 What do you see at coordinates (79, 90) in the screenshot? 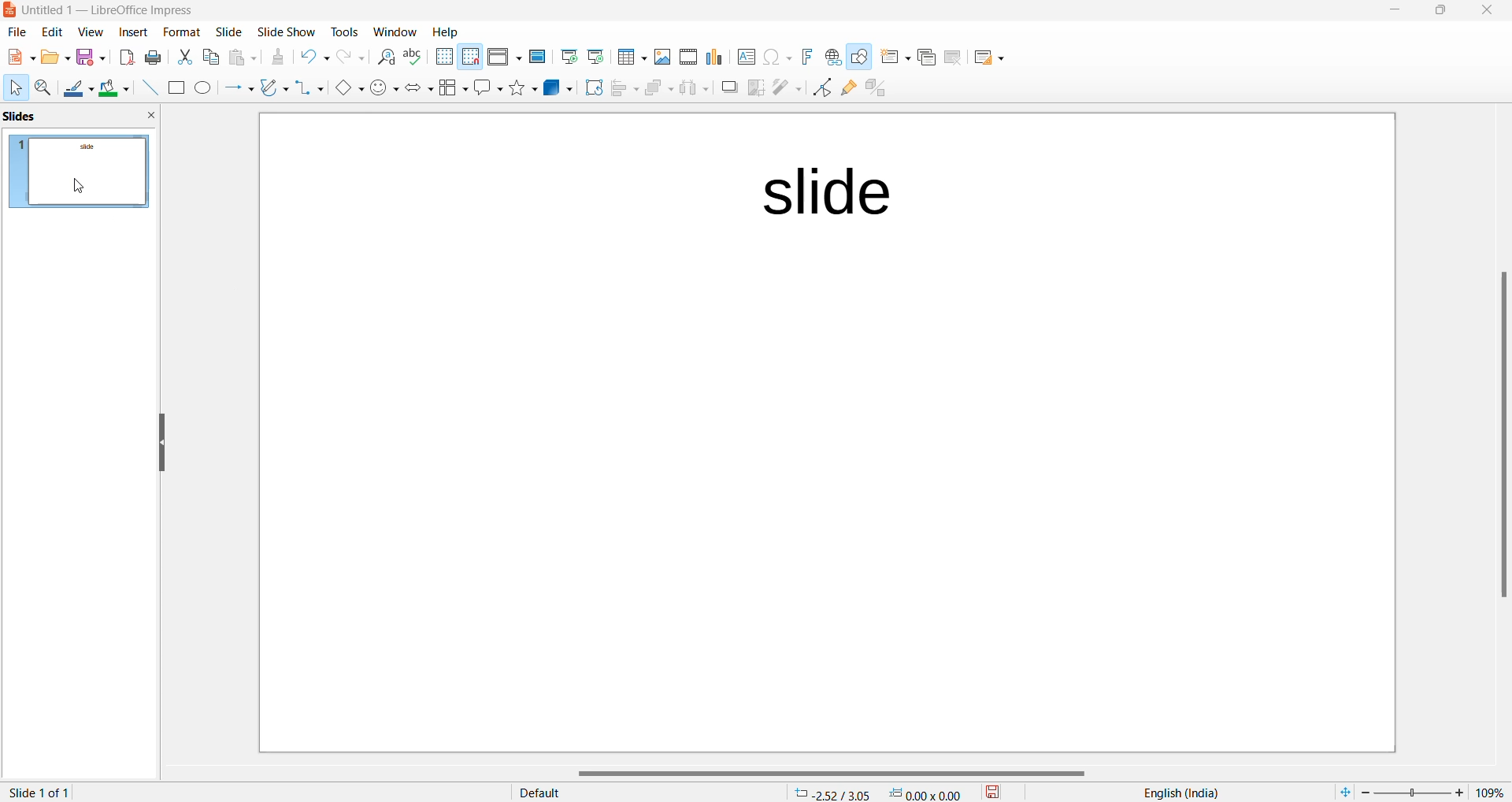
I see `line color` at bounding box center [79, 90].